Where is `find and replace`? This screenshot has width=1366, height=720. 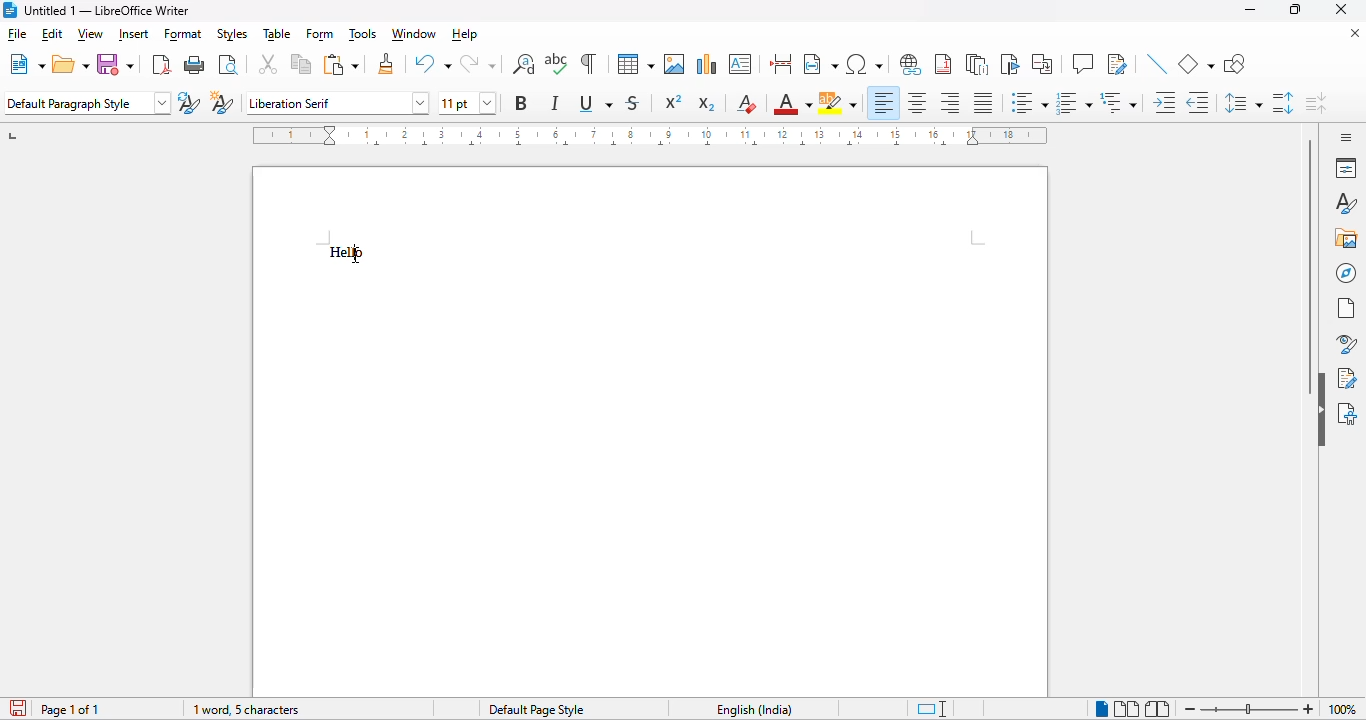 find and replace is located at coordinates (524, 64).